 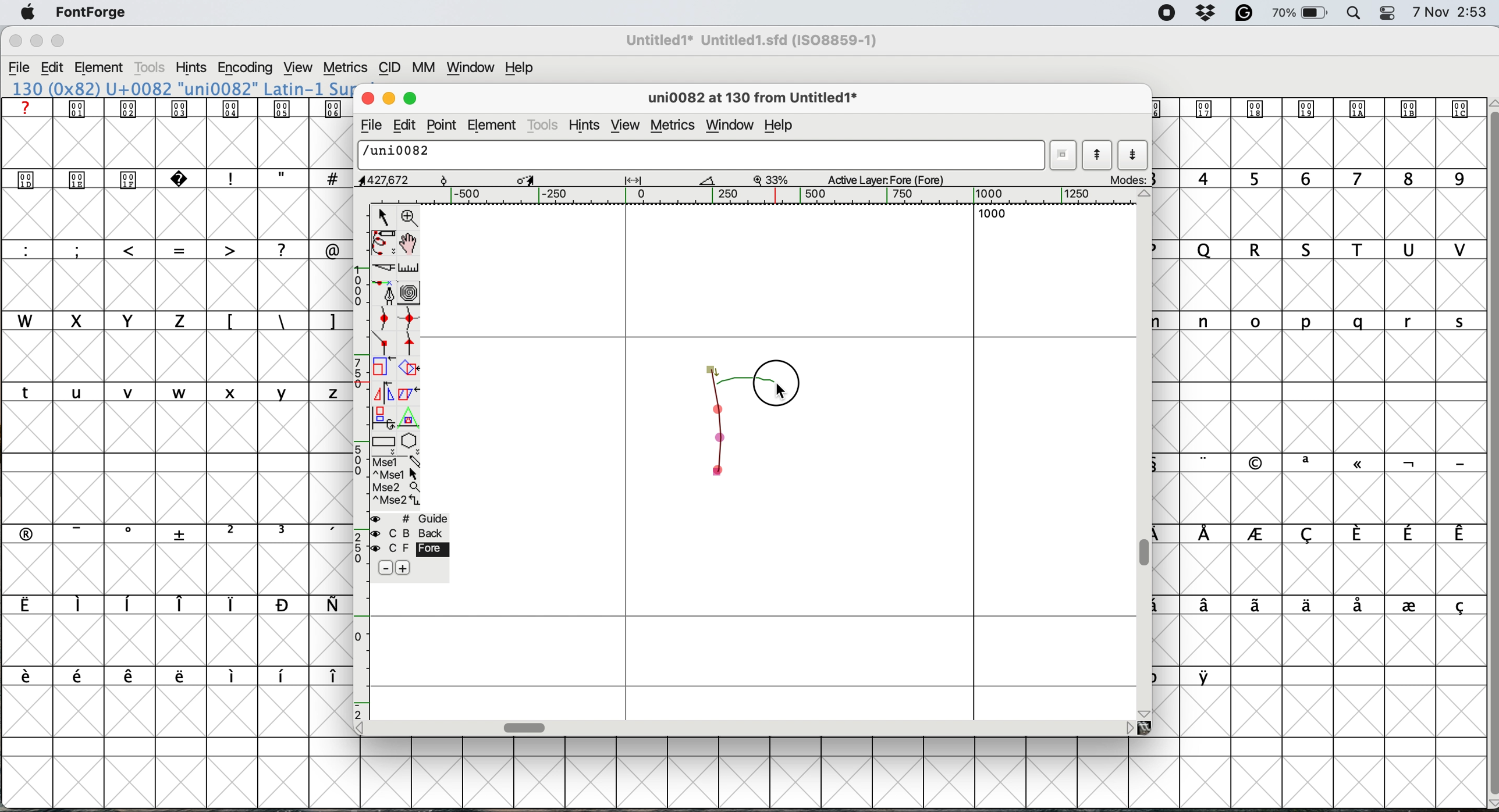 I want to click on select, so click(x=384, y=215).